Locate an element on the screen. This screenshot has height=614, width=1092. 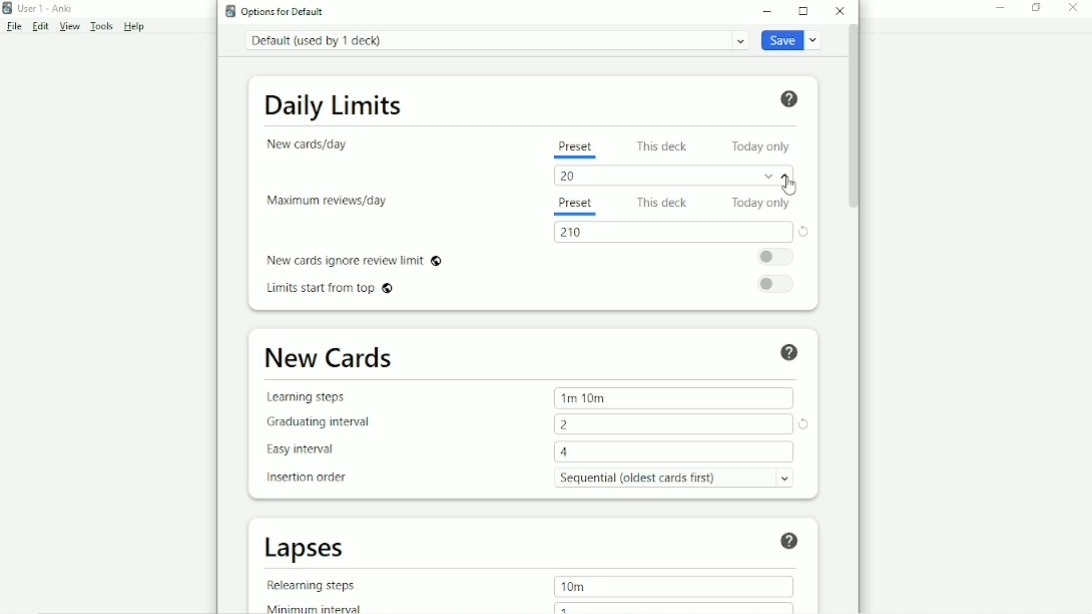
New cards/day is located at coordinates (310, 144).